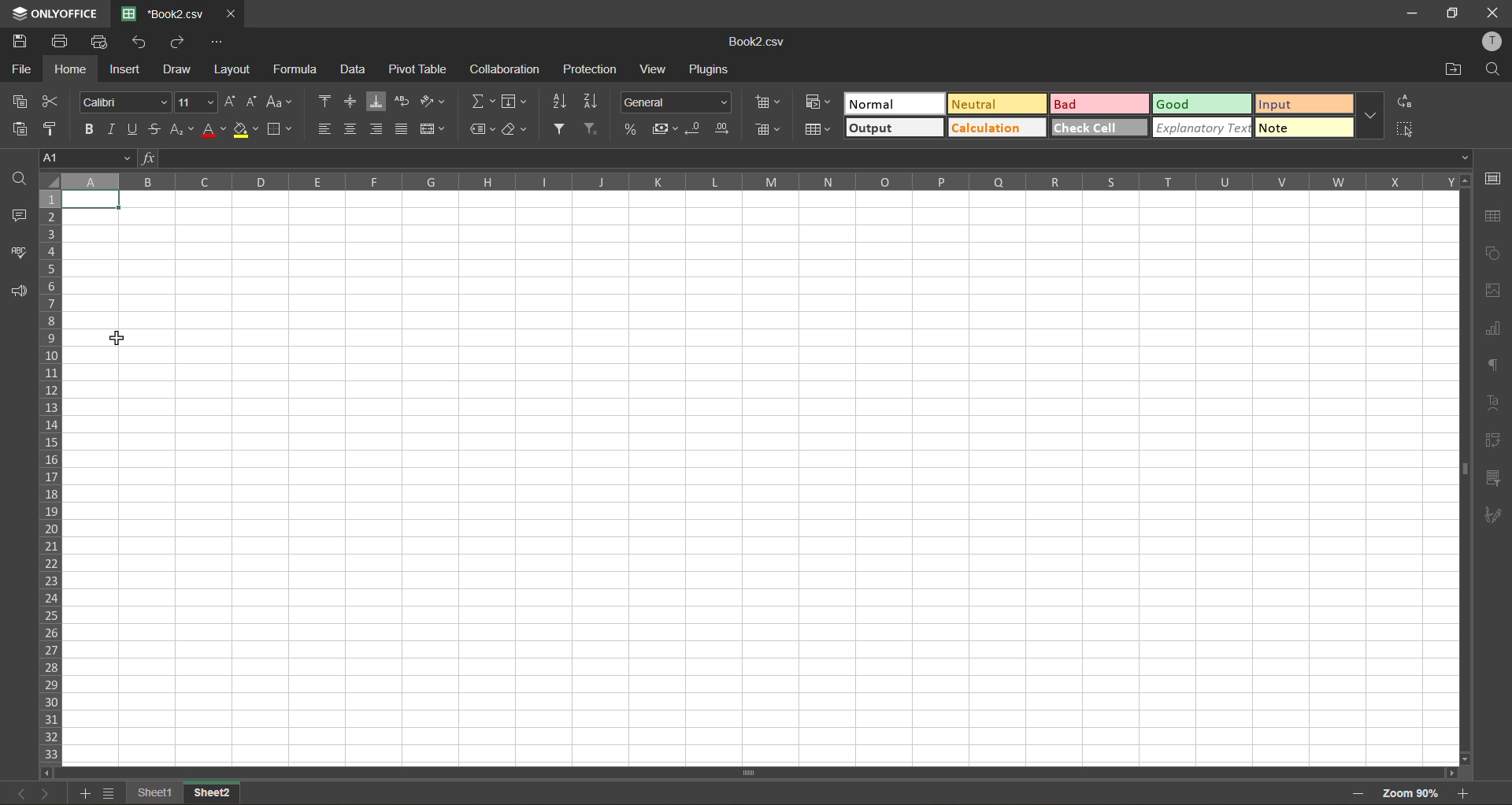 The width and height of the screenshot is (1512, 805). What do you see at coordinates (178, 71) in the screenshot?
I see `draw` at bounding box center [178, 71].